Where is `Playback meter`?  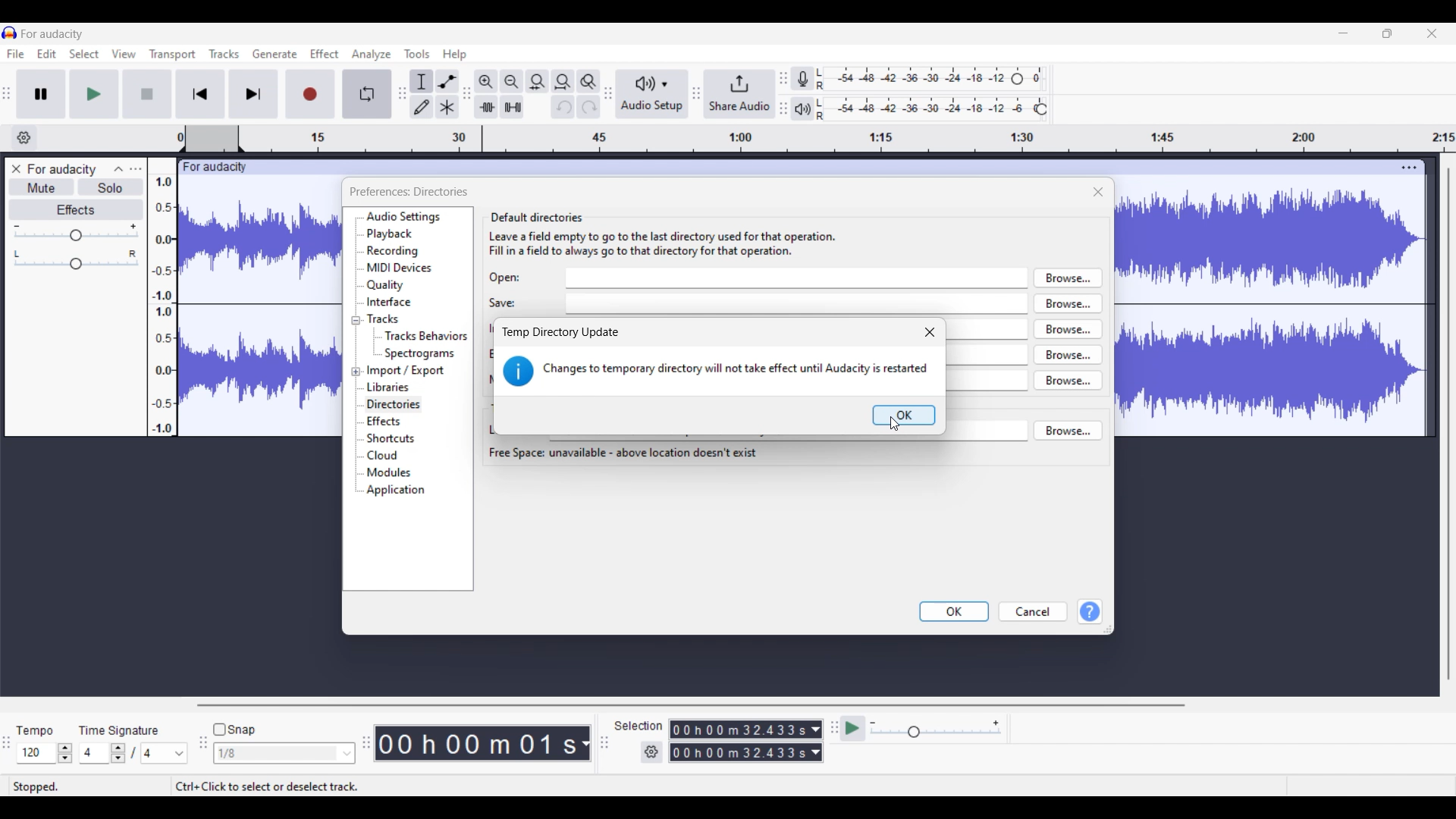
Playback meter is located at coordinates (803, 108).